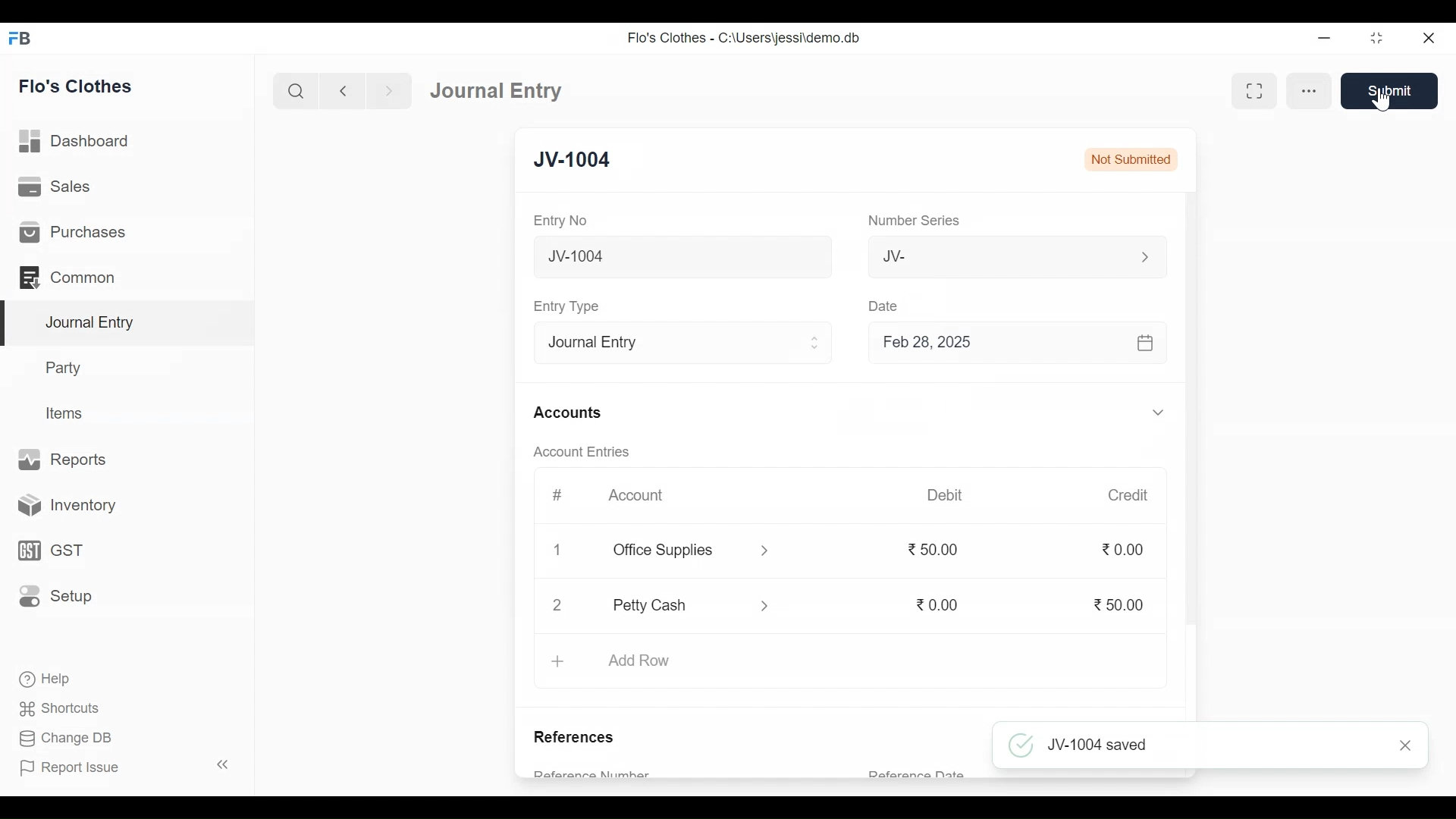  What do you see at coordinates (990, 257) in the screenshot?
I see `JV-` at bounding box center [990, 257].